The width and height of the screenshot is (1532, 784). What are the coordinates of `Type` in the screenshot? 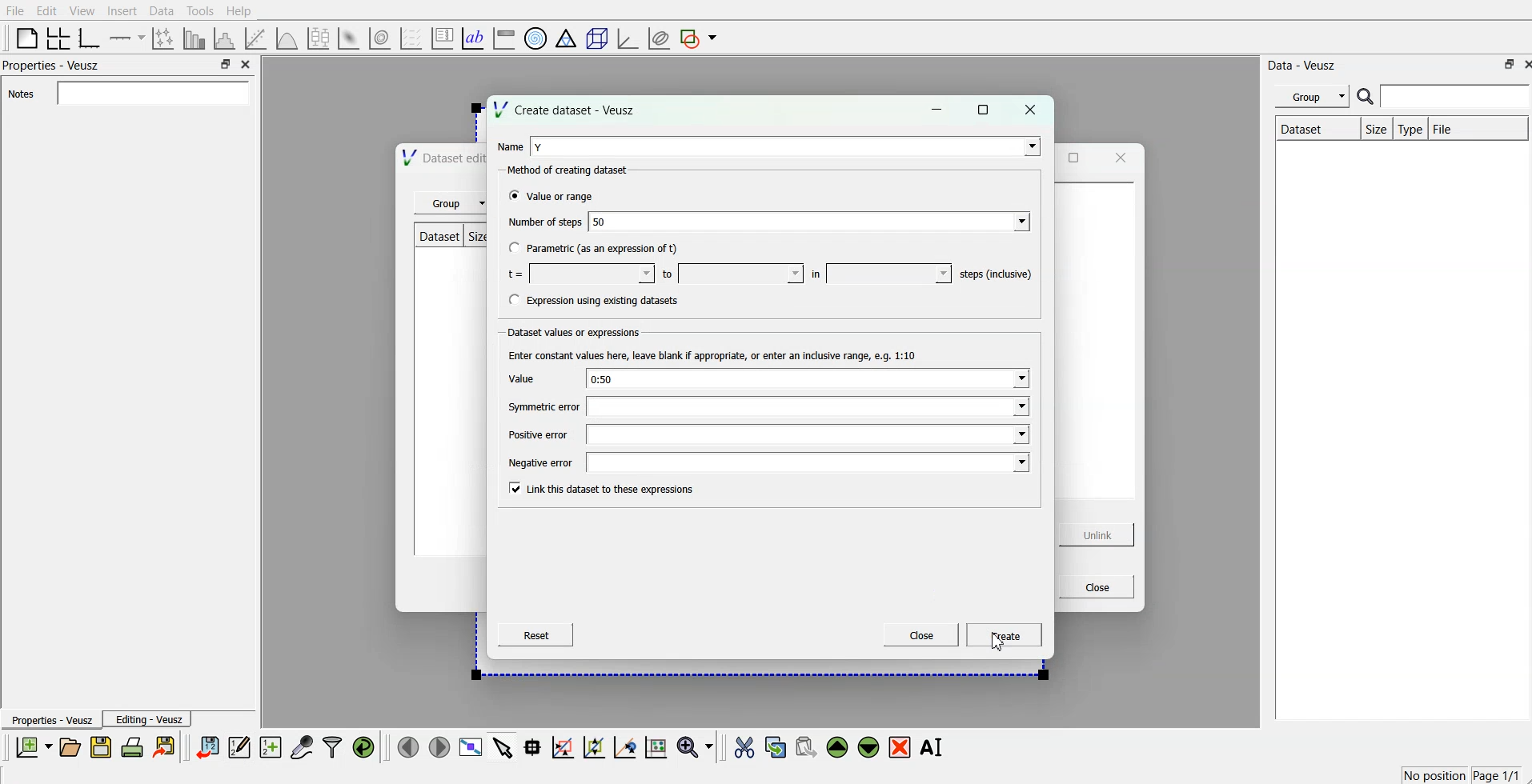 It's located at (1410, 128).